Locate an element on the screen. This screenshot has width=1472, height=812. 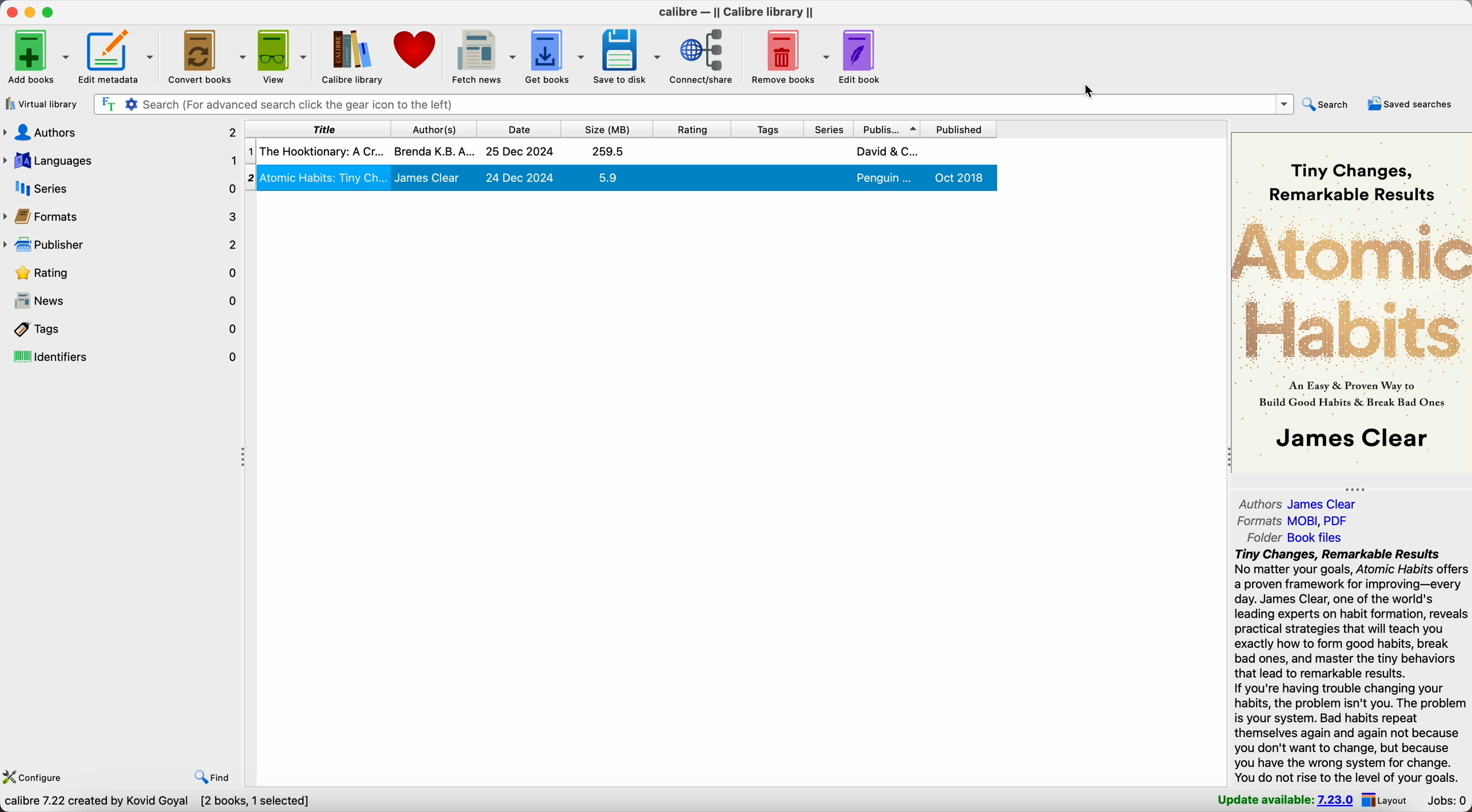
Add books is located at coordinates (38, 56).